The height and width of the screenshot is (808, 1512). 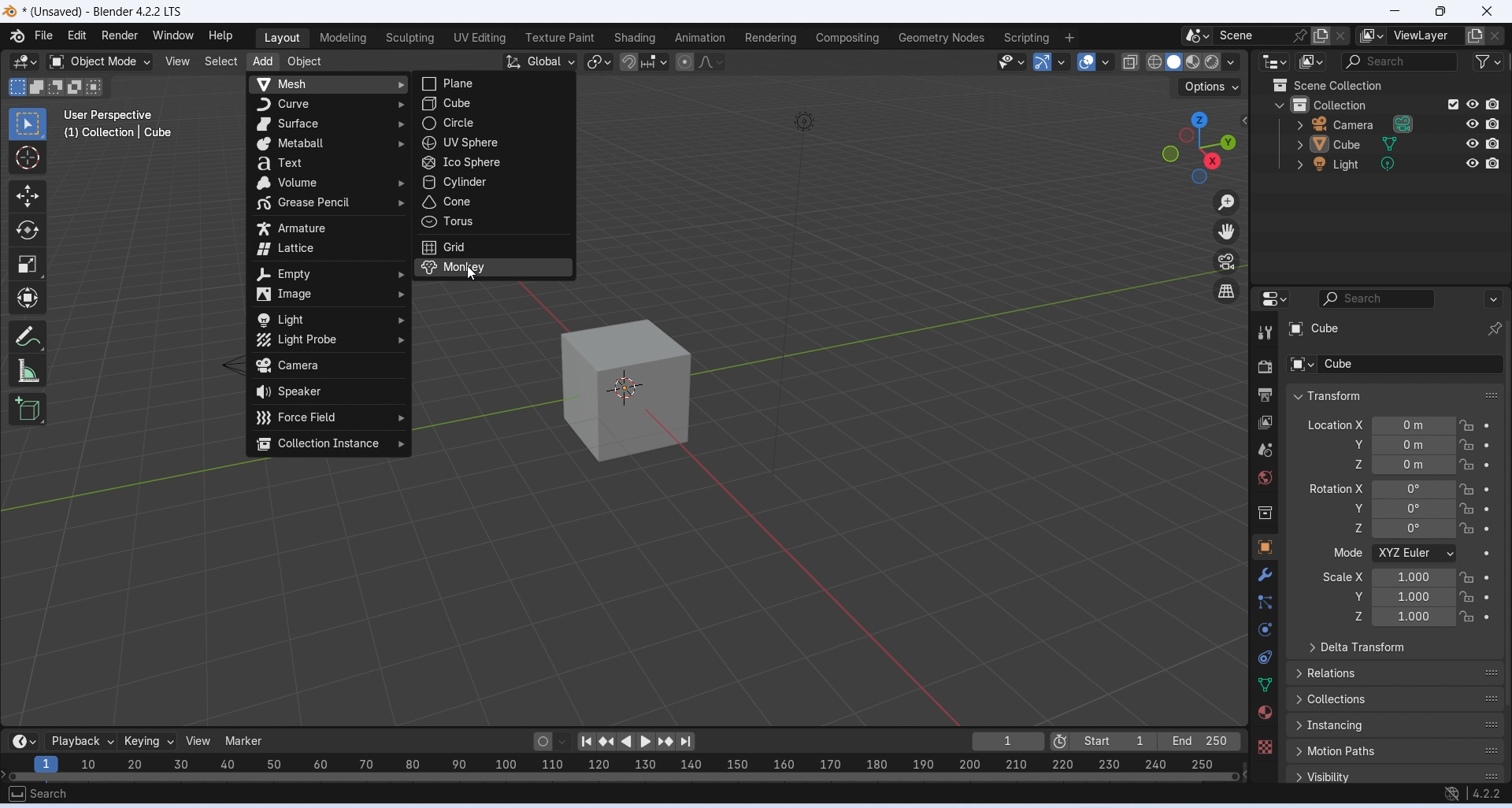 I want to click on Rotate, so click(x=27, y=231).